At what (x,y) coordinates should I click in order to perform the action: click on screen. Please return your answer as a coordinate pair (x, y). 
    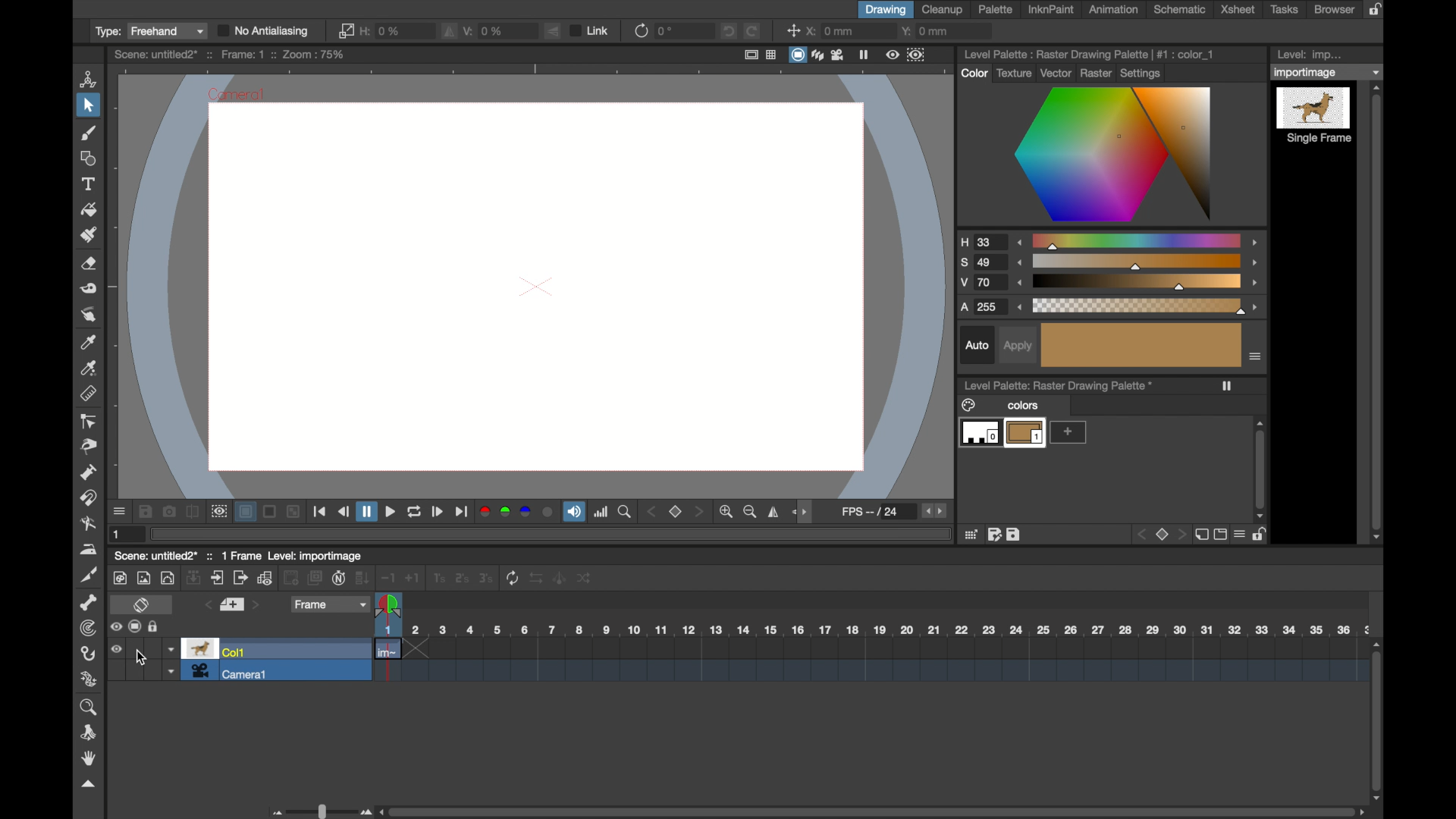
    Looking at the image, I should click on (136, 626).